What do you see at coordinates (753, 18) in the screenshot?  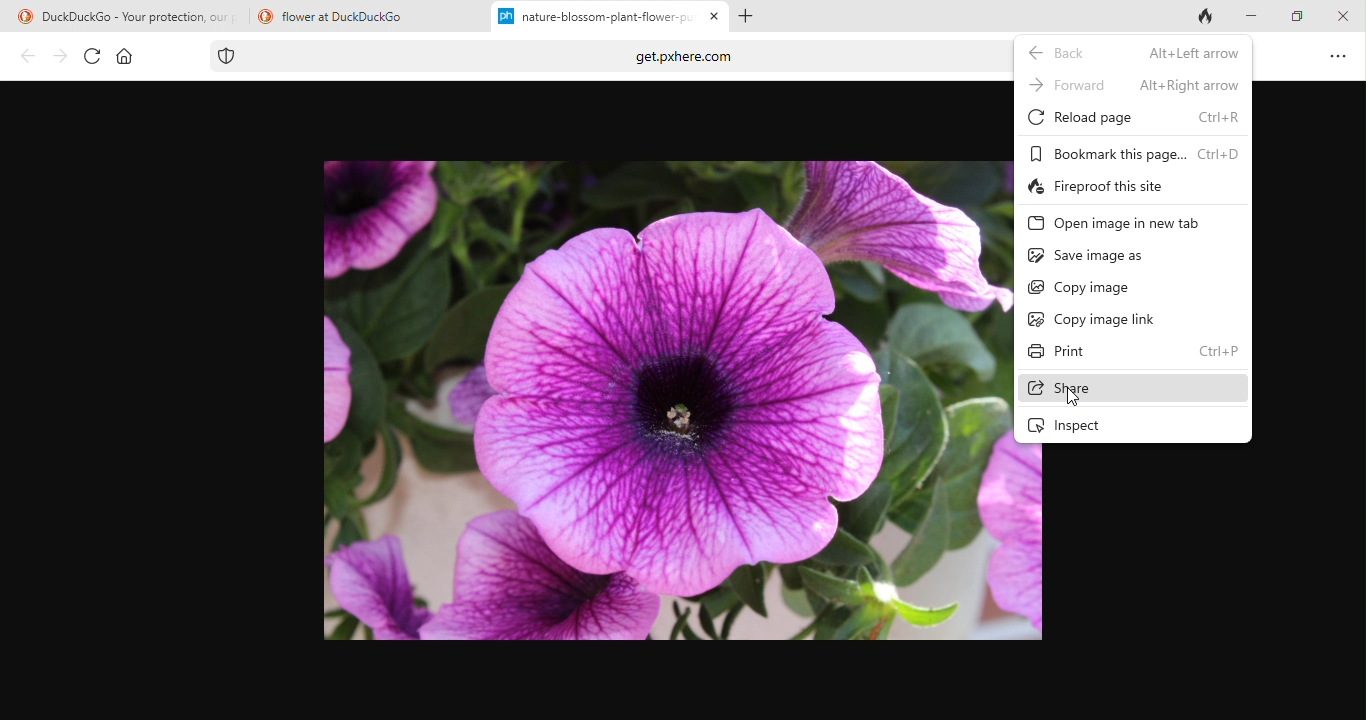 I see `add` at bounding box center [753, 18].